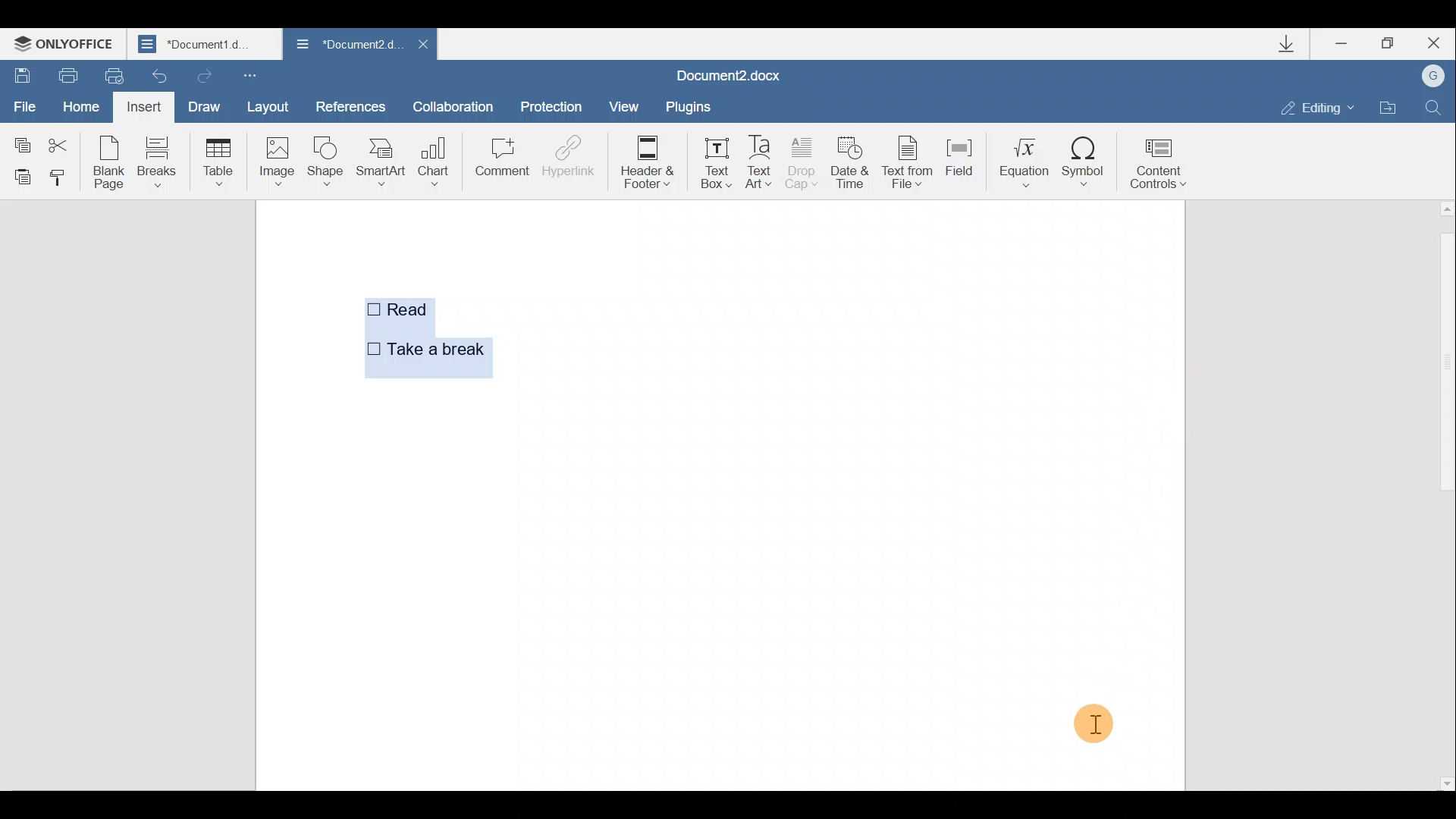  What do you see at coordinates (351, 105) in the screenshot?
I see `References` at bounding box center [351, 105].